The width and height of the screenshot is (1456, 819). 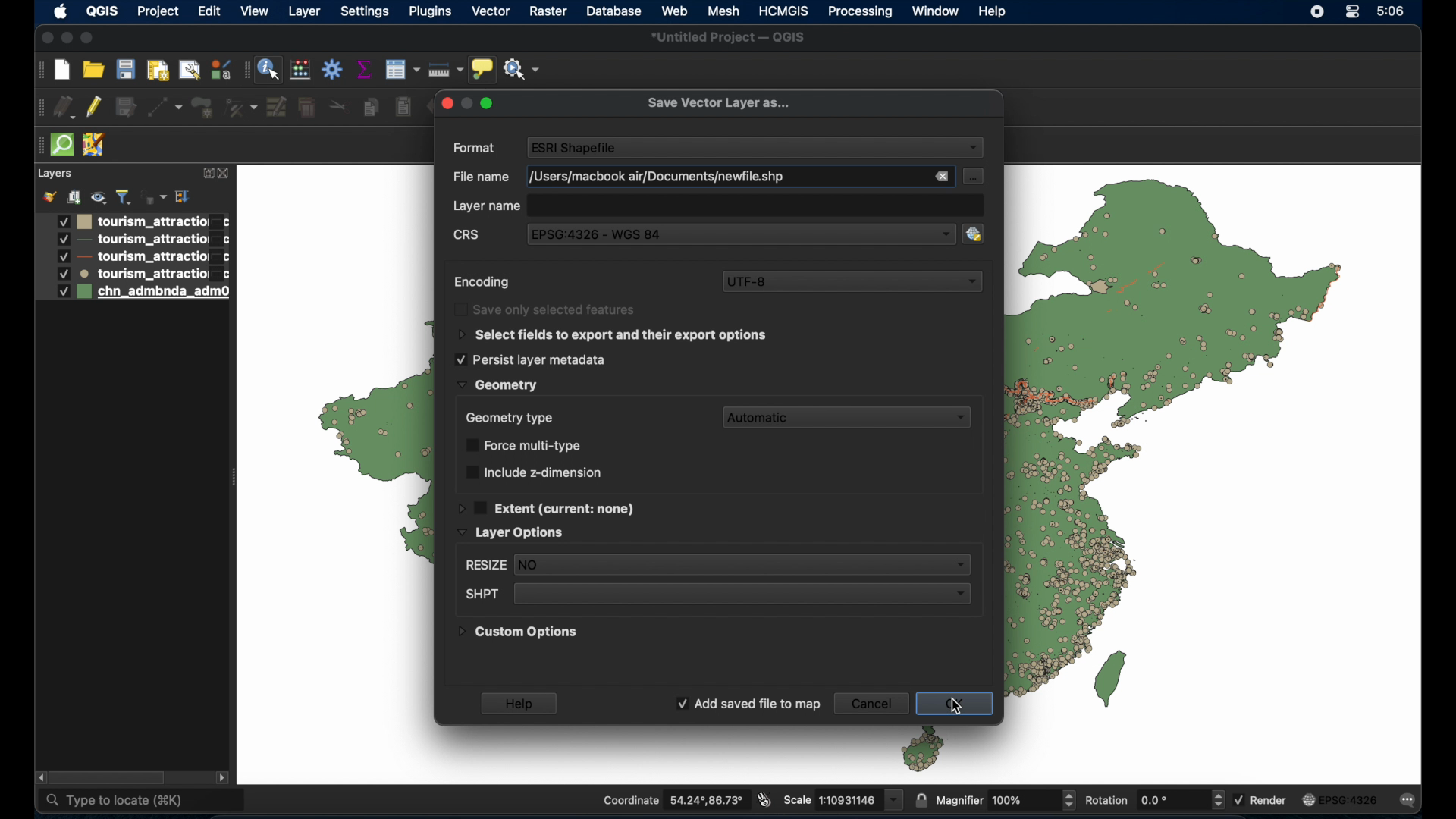 I want to click on processing, so click(x=859, y=12).